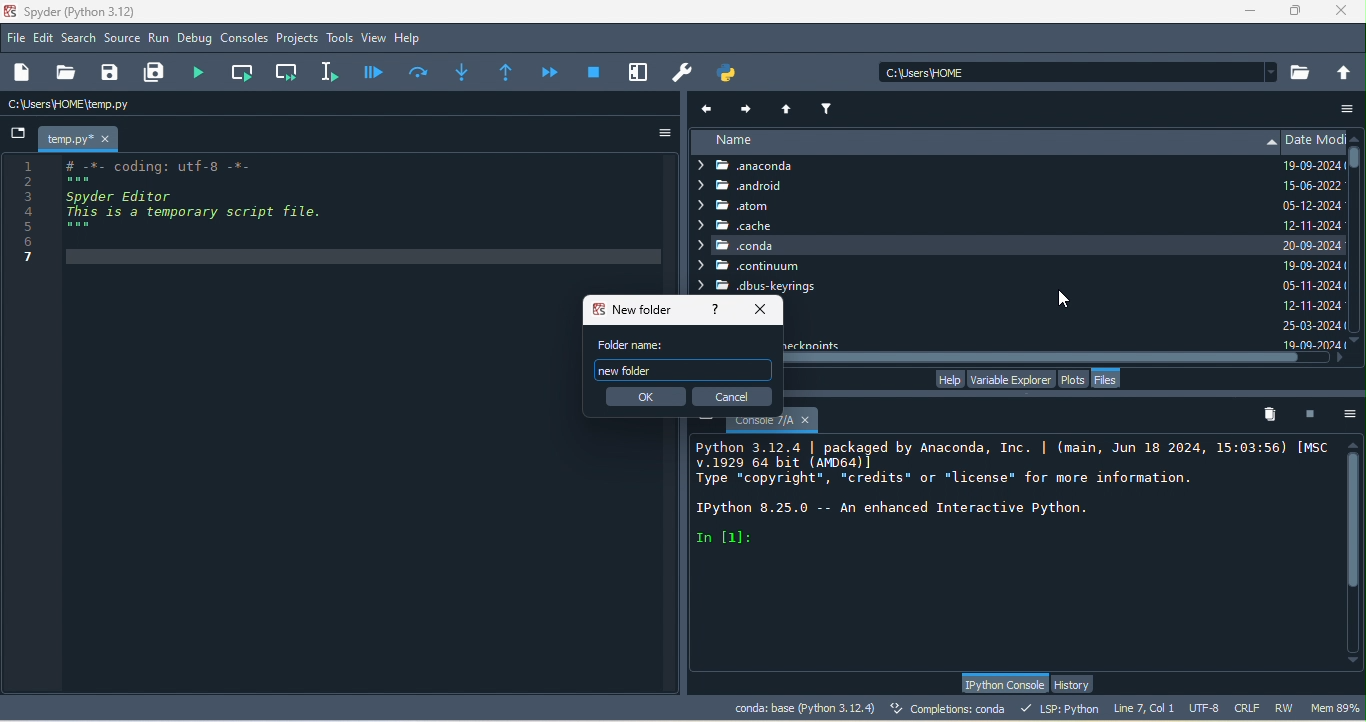 The image size is (1366, 722). What do you see at coordinates (1074, 378) in the screenshot?
I see `plots` at bounding box center [1074, 378].